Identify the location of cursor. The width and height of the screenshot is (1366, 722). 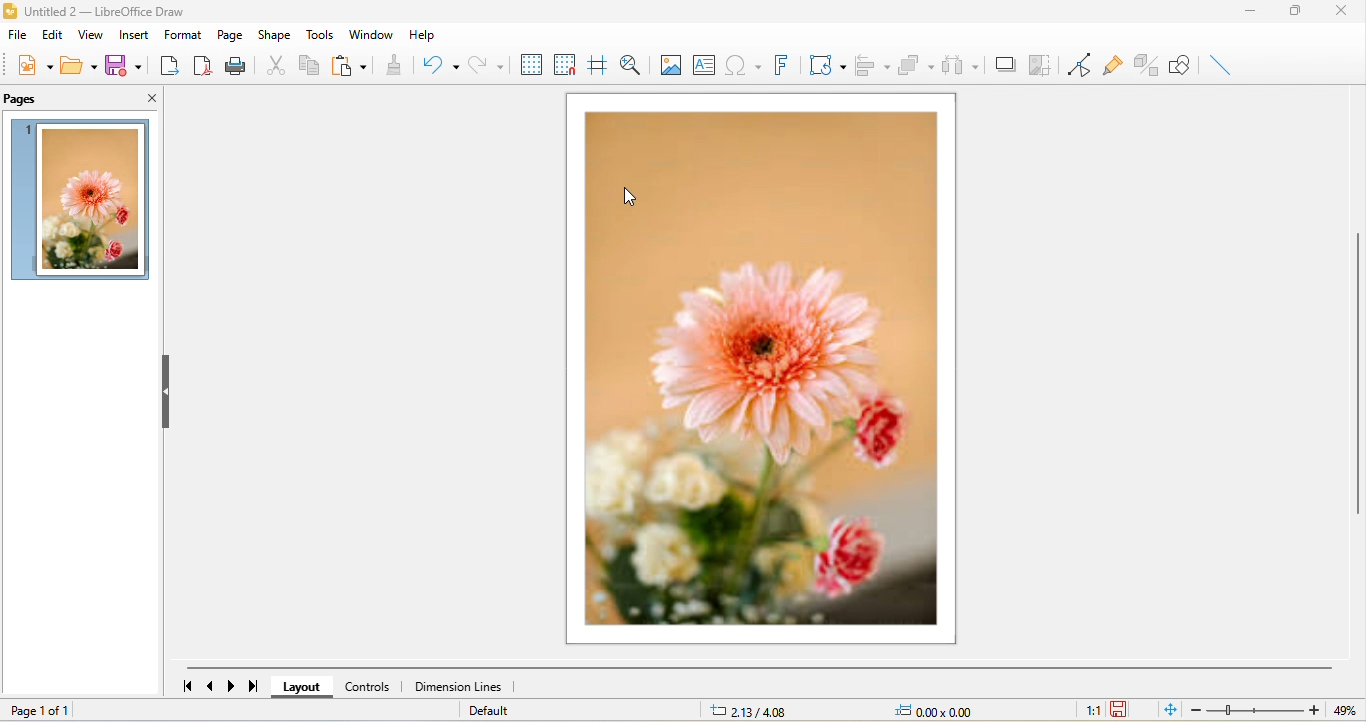
(632, 204).